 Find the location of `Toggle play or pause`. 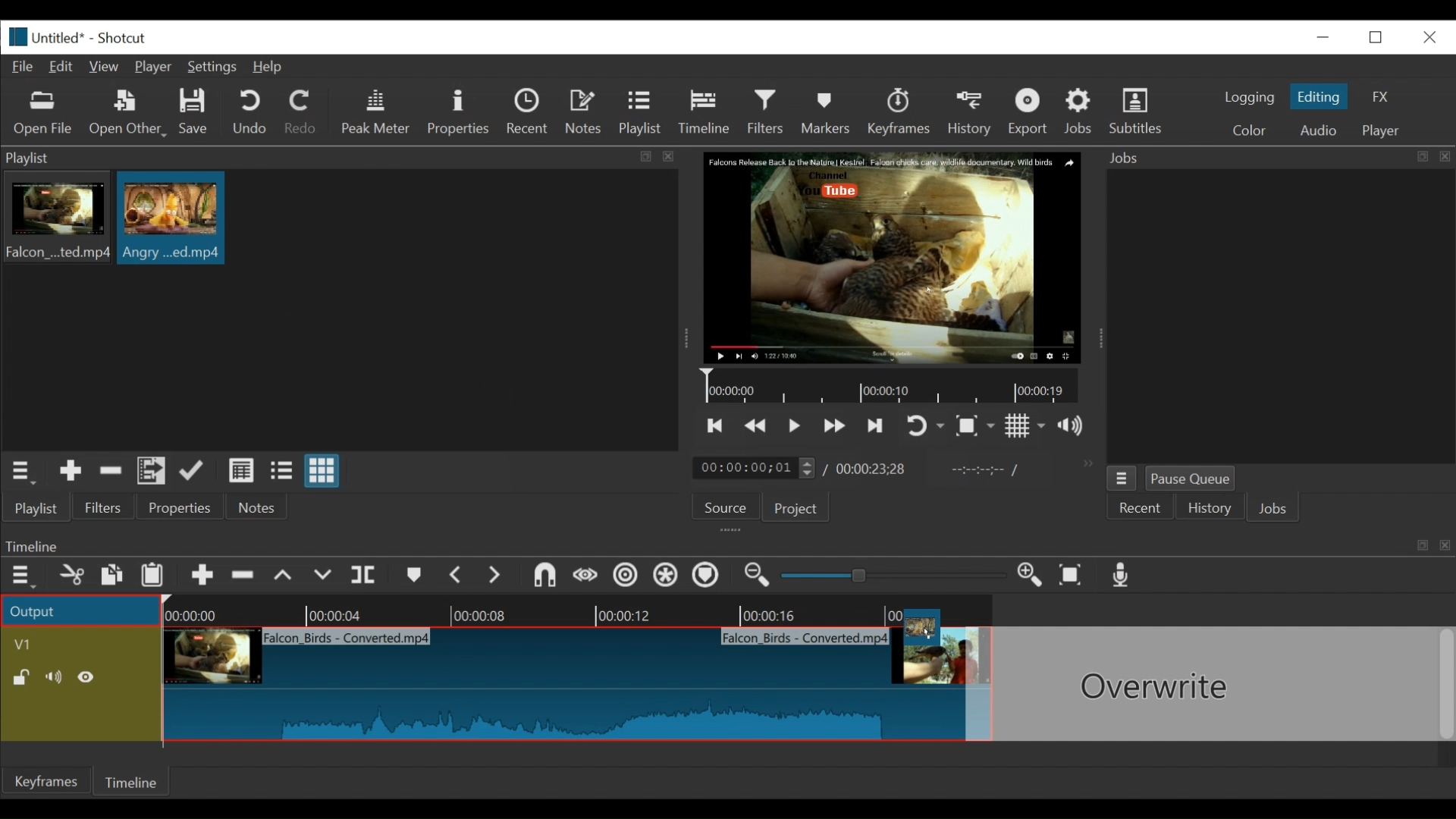

Toggle play or pause is located at coordinates (795, 425).